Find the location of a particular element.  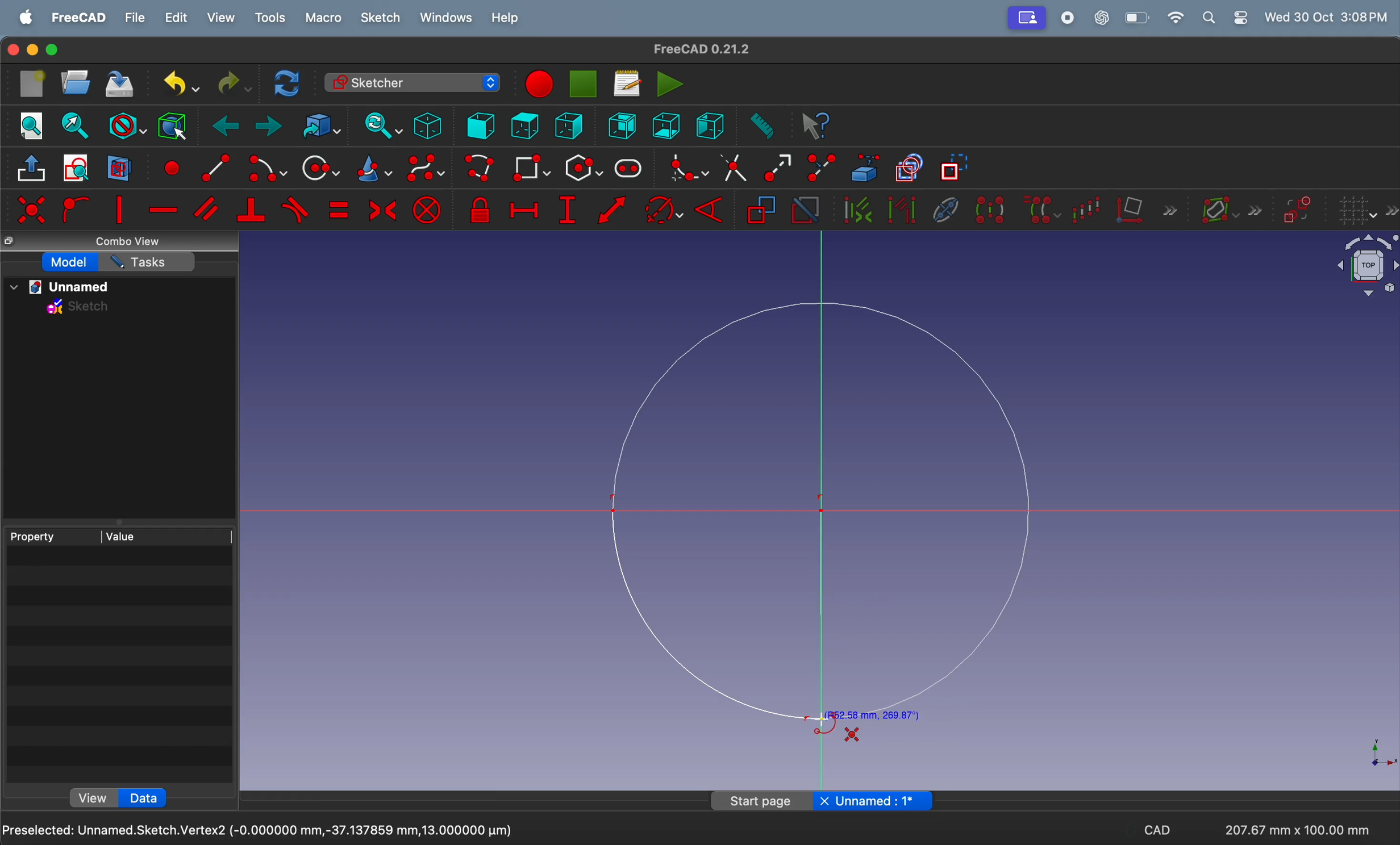

activate constraint is located at coordinates (805, 211).